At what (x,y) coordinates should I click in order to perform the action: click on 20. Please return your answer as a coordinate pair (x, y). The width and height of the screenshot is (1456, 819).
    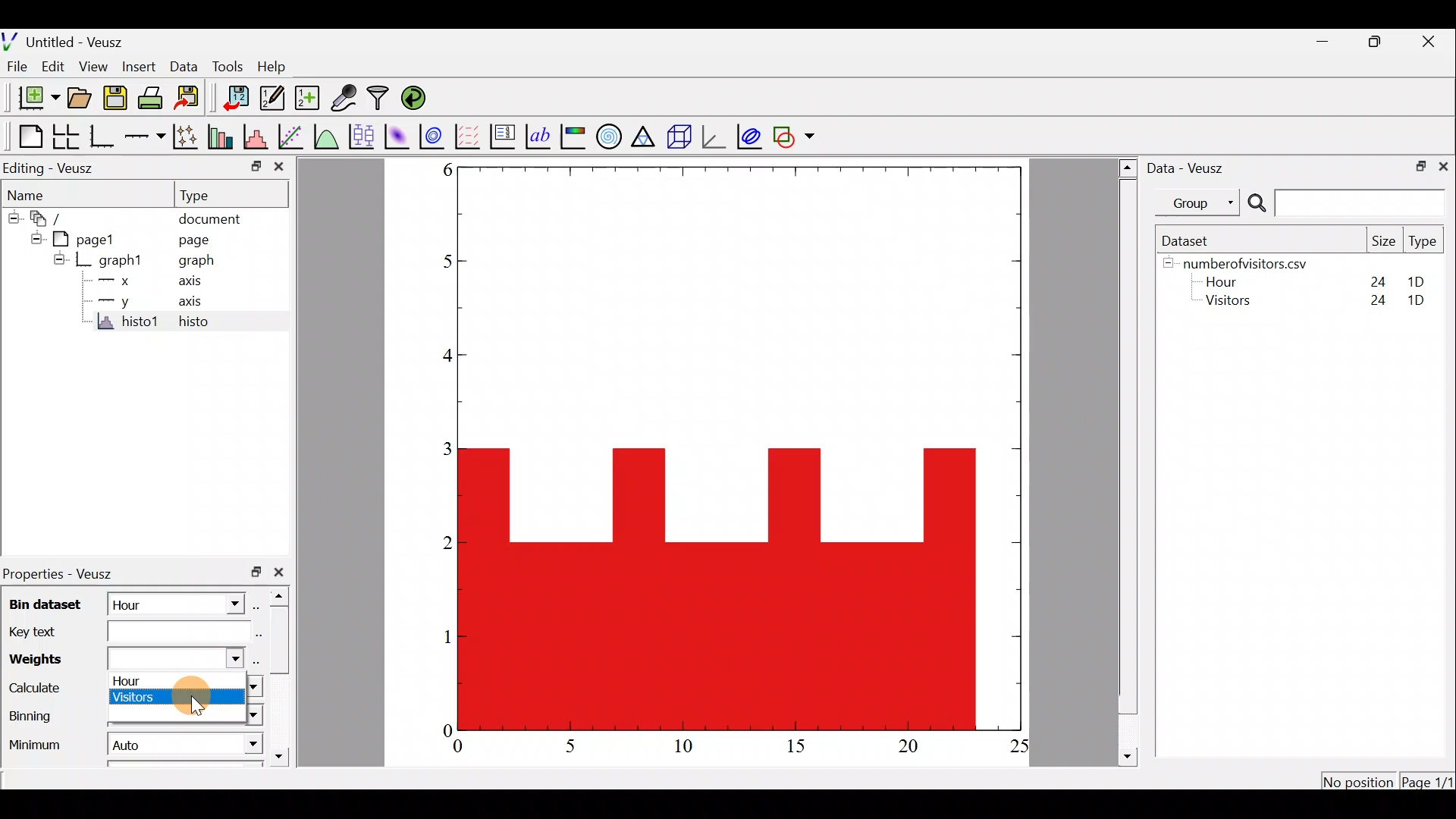
    Looking at the image, I should click on (912, 748).